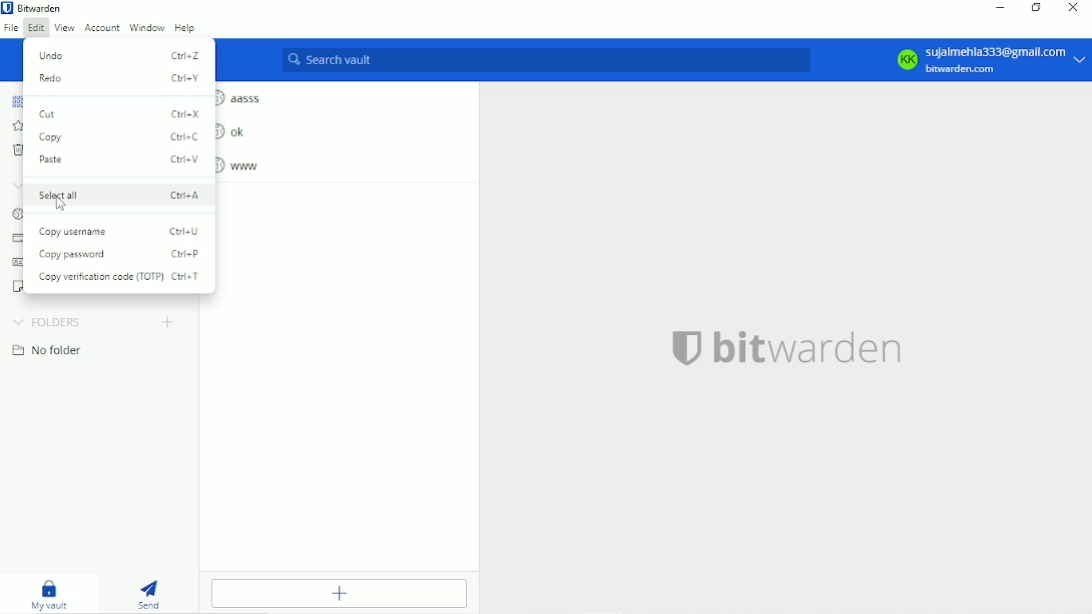 The width and height of the screenshot is (1092, 614). What do you see at coordinates (119, 231) in the screenshot?
I see `Copy username` at bounding box center [119, 231].